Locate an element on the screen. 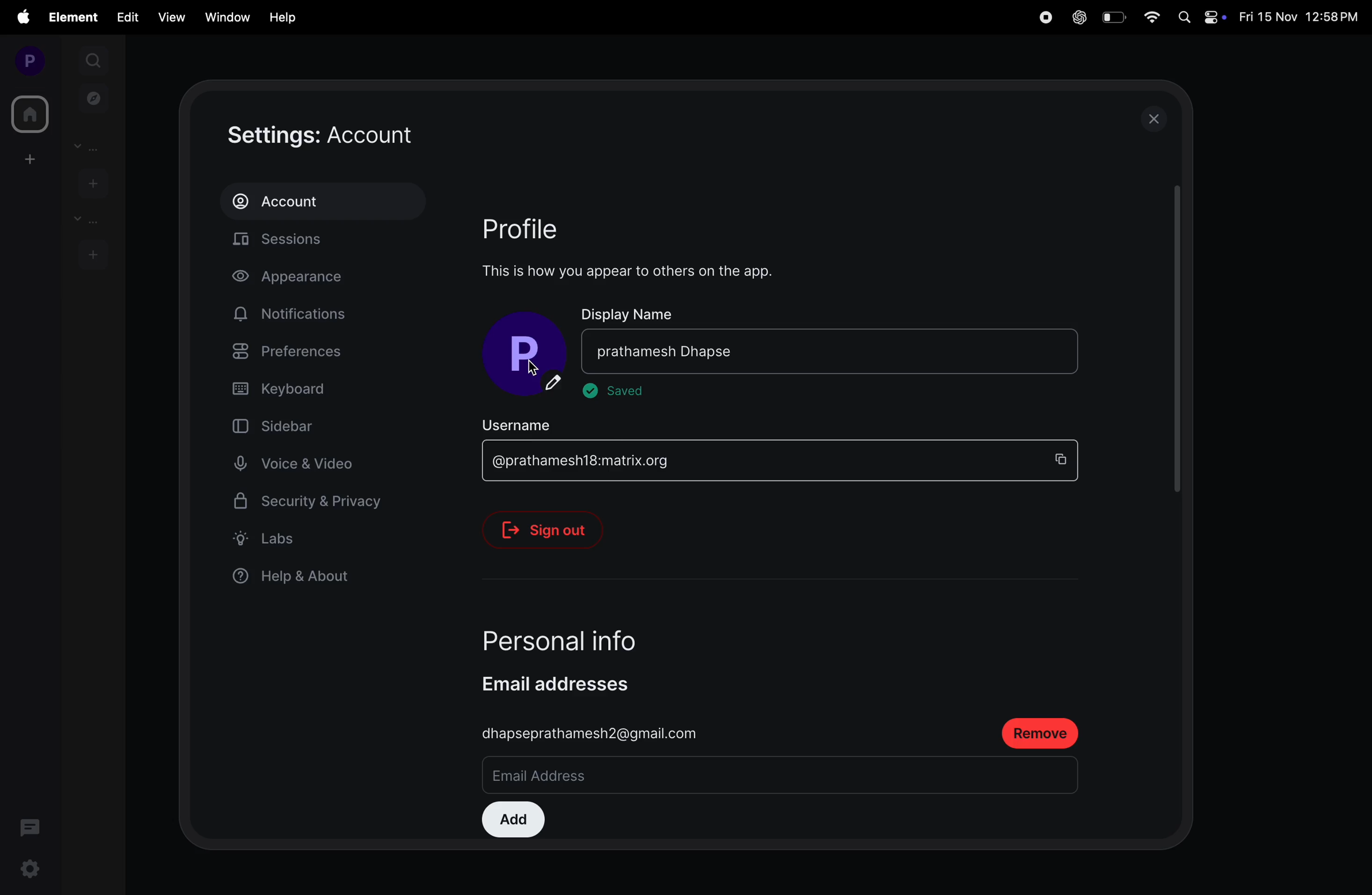 This screenshot has width=1372, height=895. personal info is located at coordinates (587, 631).